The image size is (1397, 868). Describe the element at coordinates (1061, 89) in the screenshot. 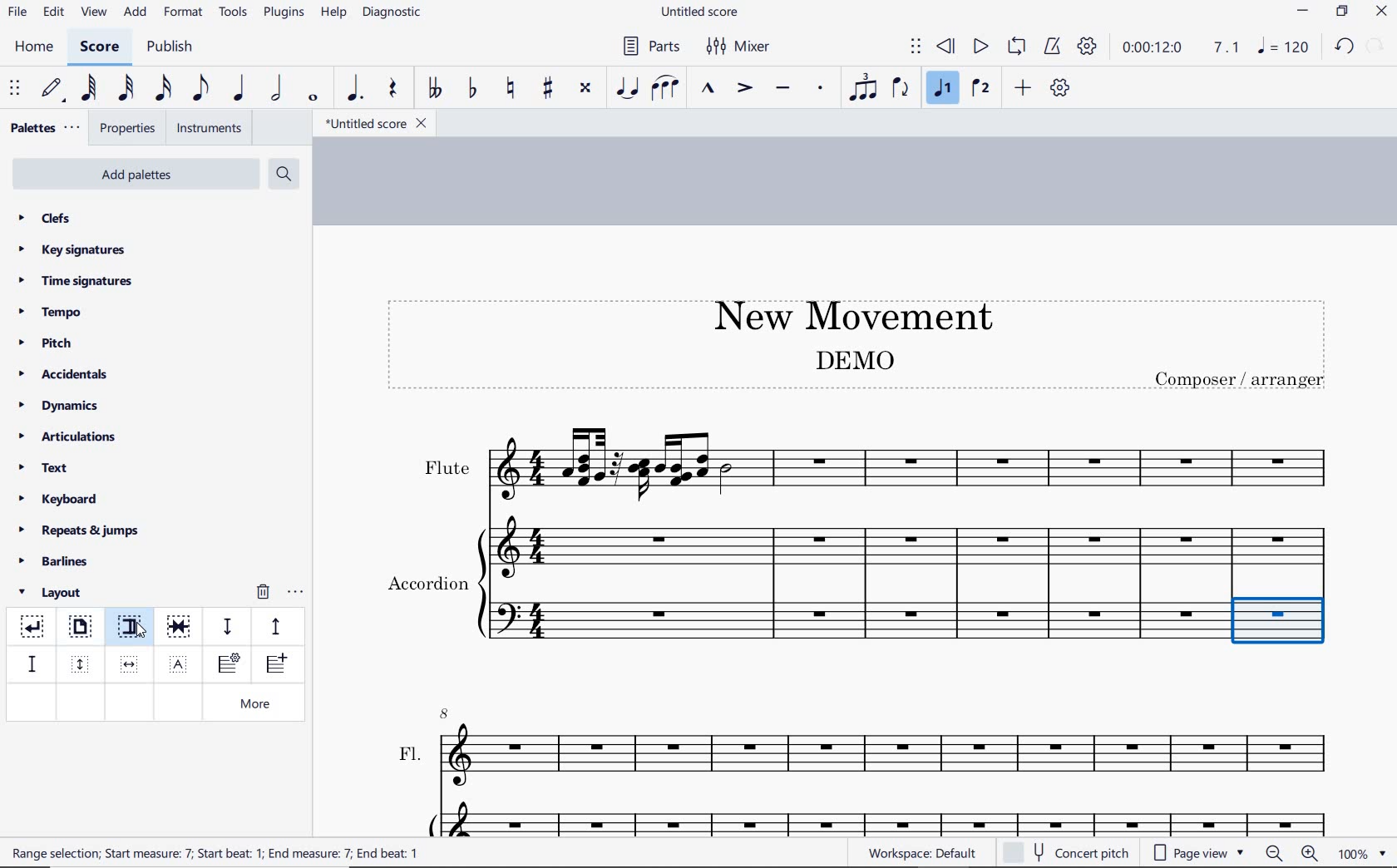

I see `customize toolbar` at that location.